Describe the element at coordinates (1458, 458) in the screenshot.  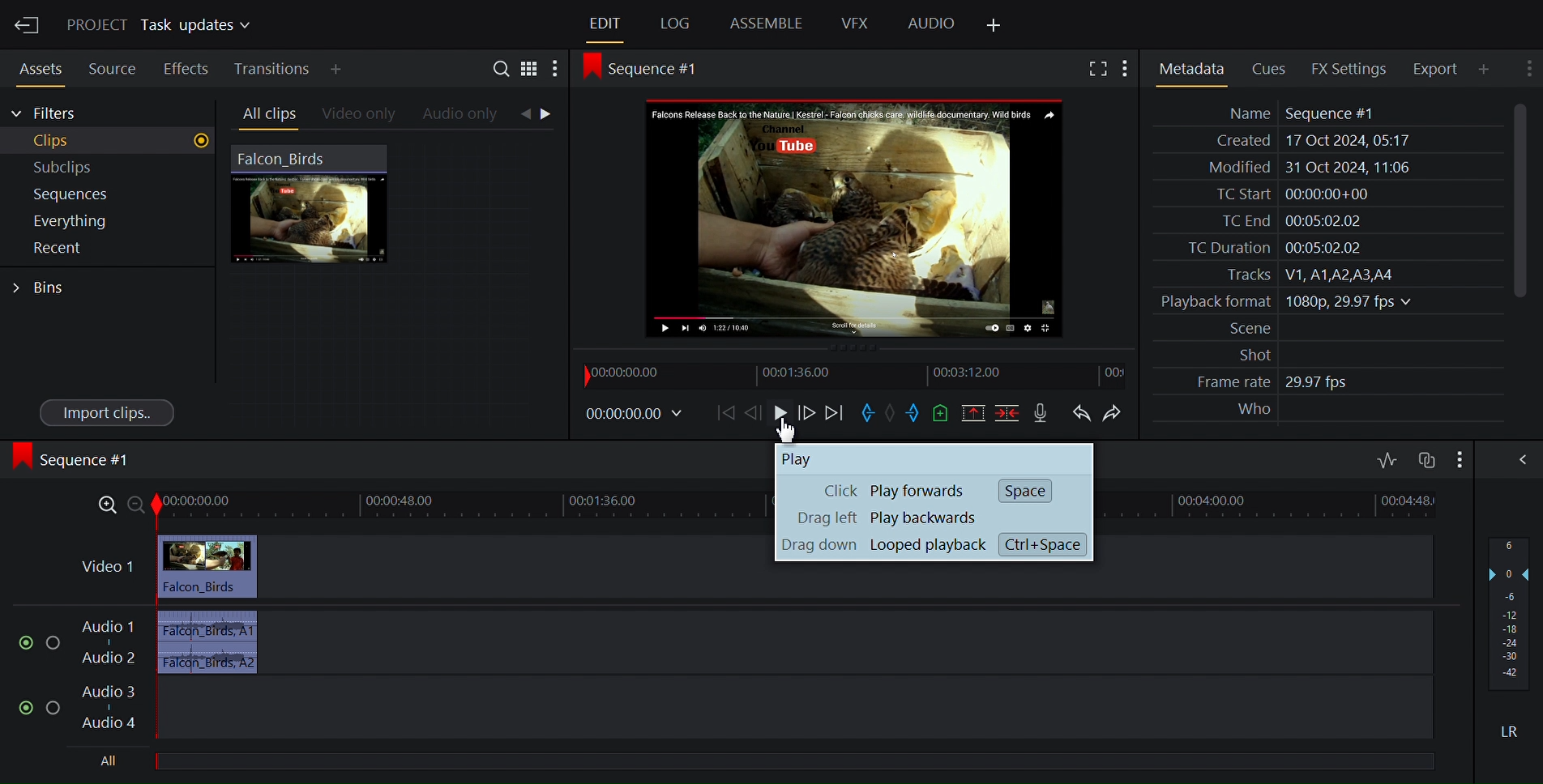
I see `Show settings menu` at that location.